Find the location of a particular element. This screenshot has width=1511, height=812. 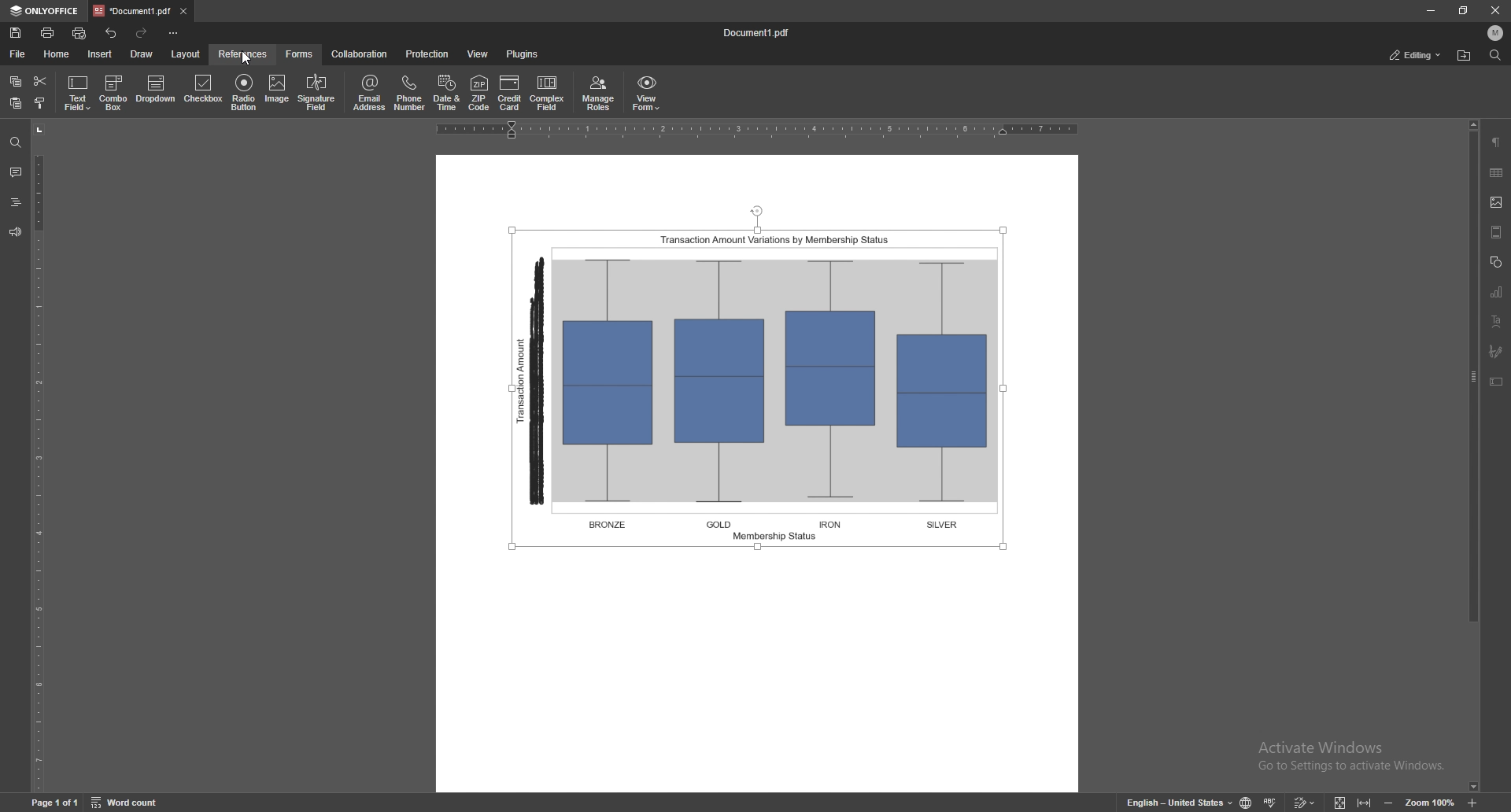

email address is located at coordinates (371, 92).